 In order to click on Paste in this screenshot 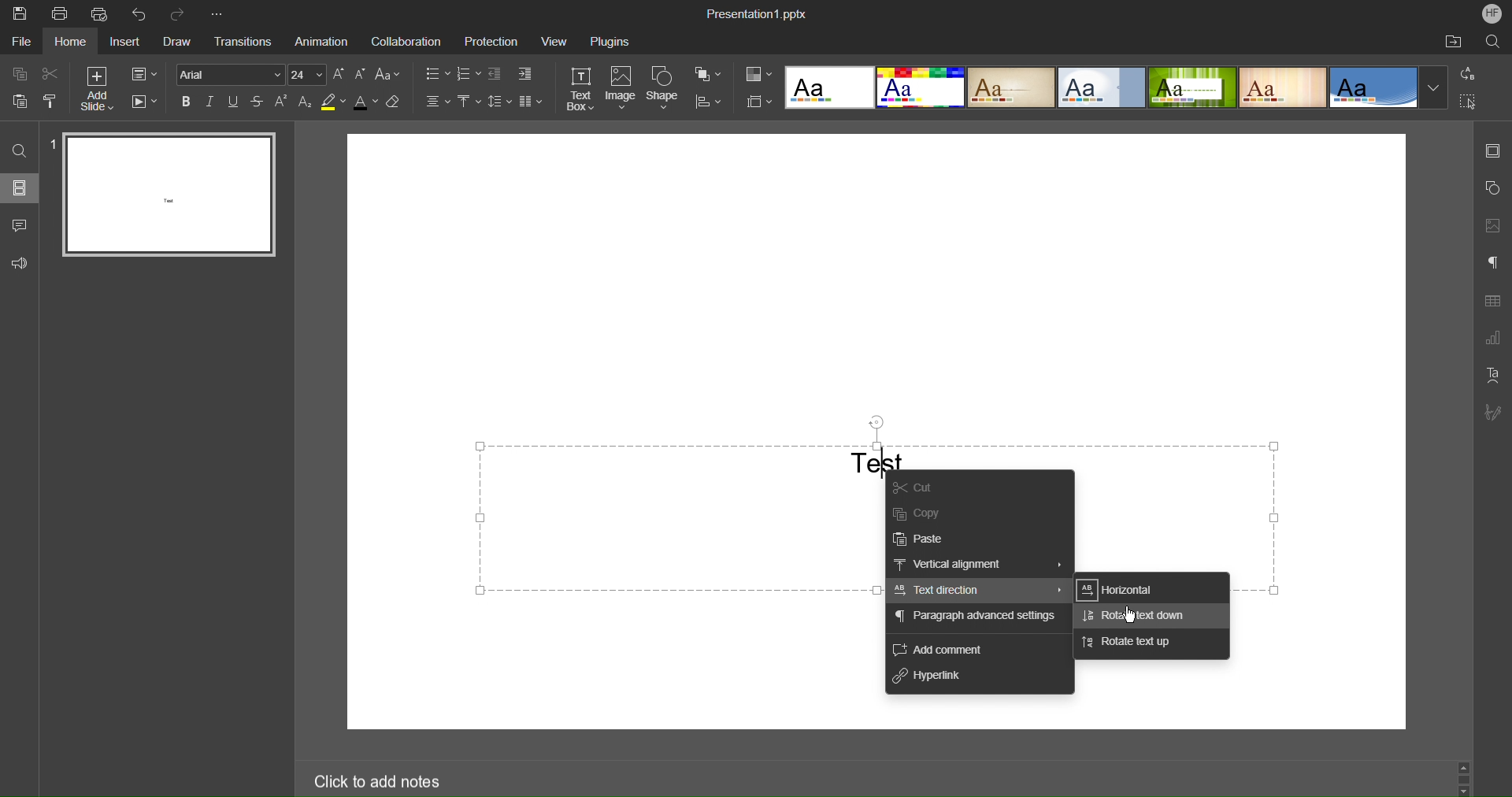, I will do `click(927, 536)`.